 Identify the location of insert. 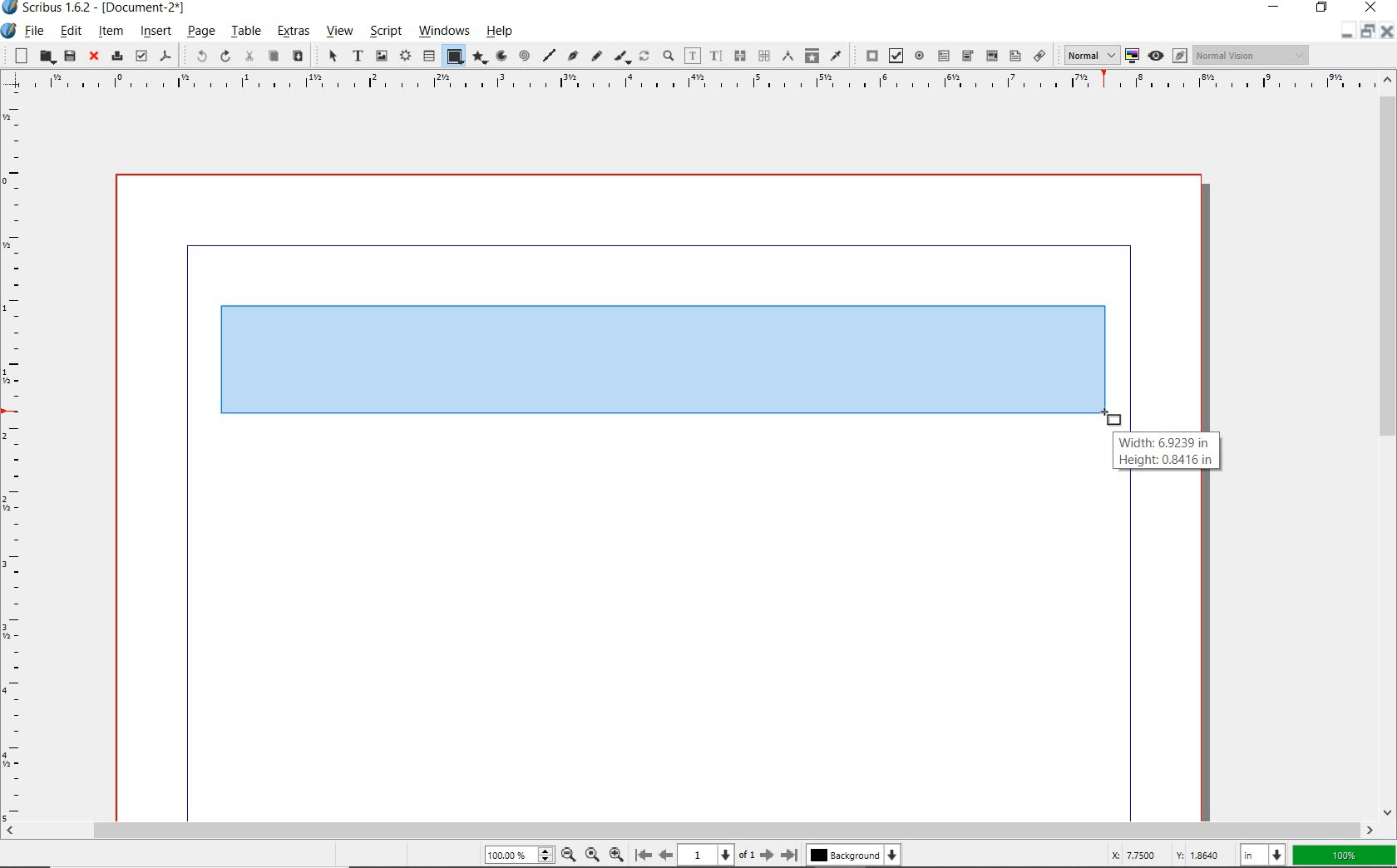
(155, 32).